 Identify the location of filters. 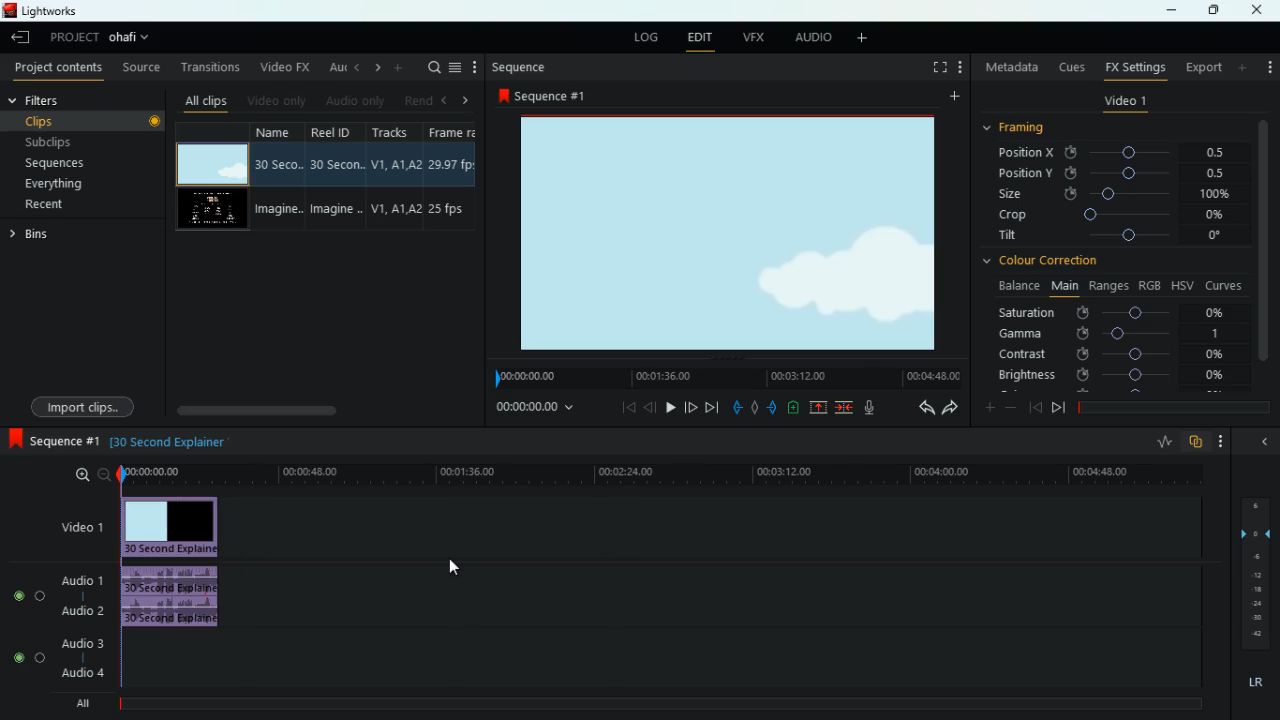
(66, 99).